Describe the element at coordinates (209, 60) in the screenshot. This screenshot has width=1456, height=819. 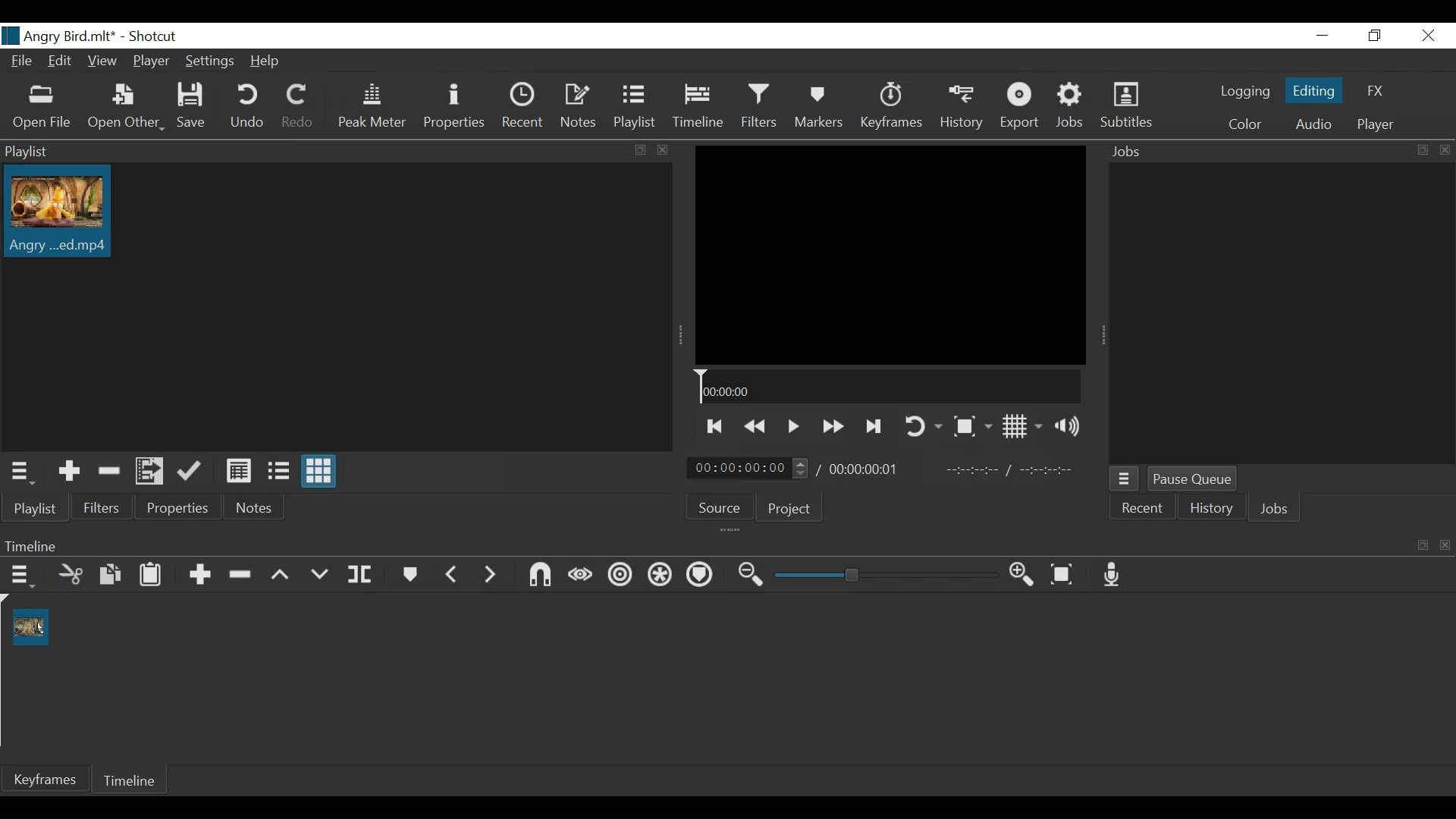
I see `Settings` at that location.